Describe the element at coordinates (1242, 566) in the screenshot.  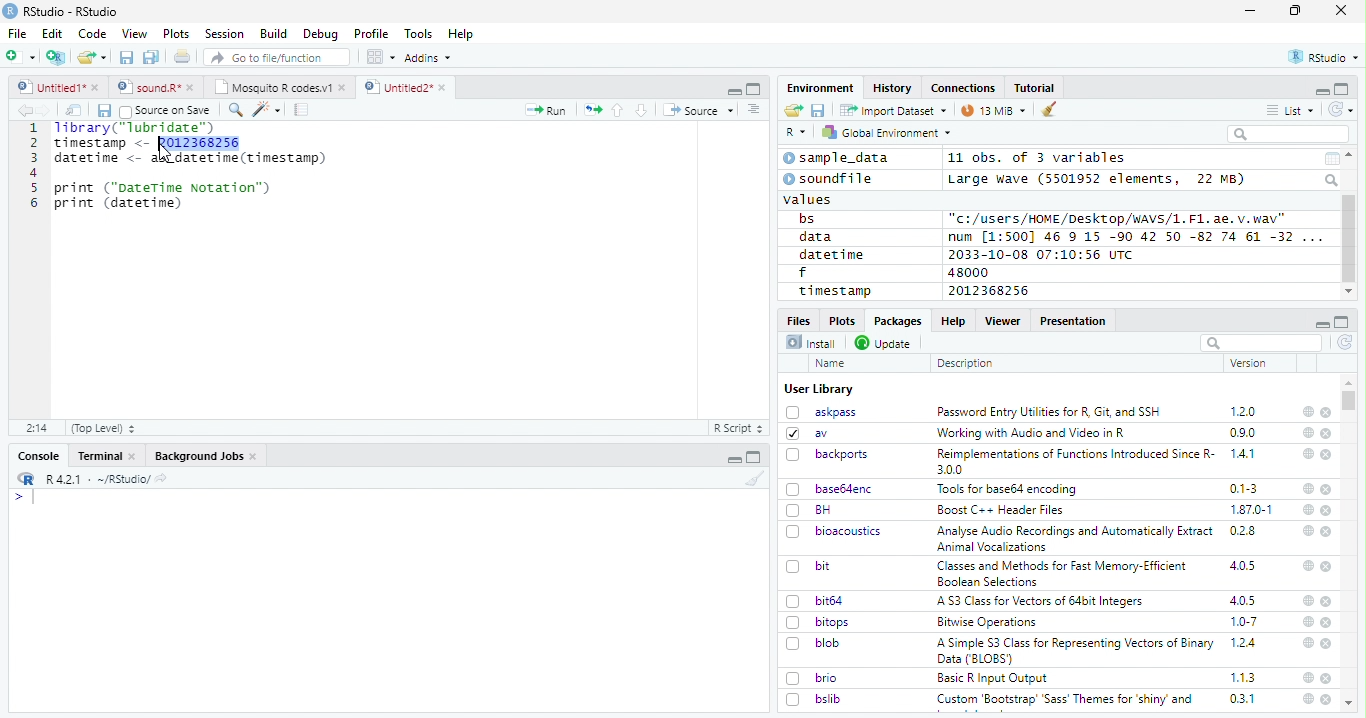
I see `4.0.5` at that location.